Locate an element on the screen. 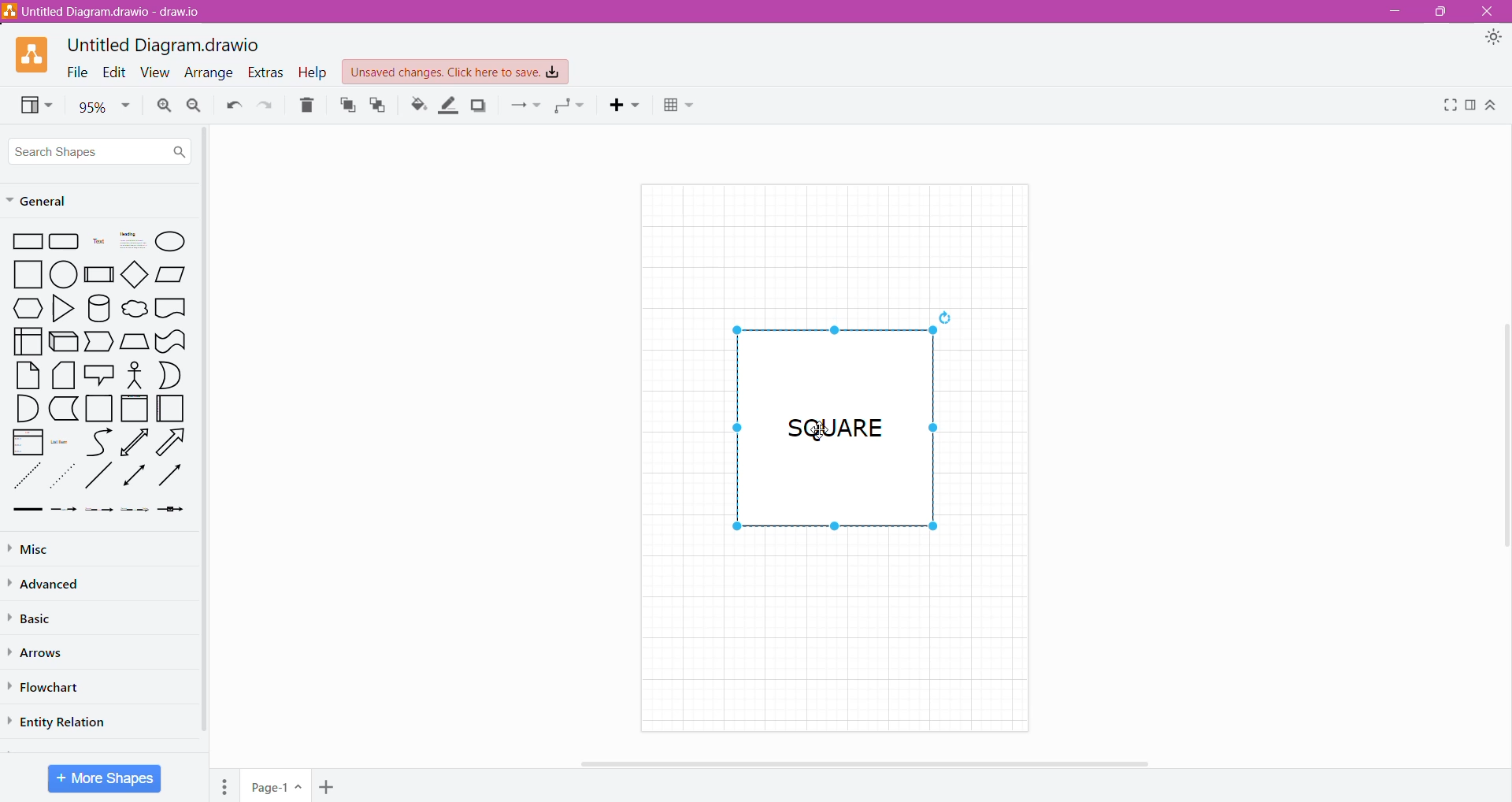 The image size is (1512, 802). Untitled Diagram.drawio is located at coordinates (164, 45).